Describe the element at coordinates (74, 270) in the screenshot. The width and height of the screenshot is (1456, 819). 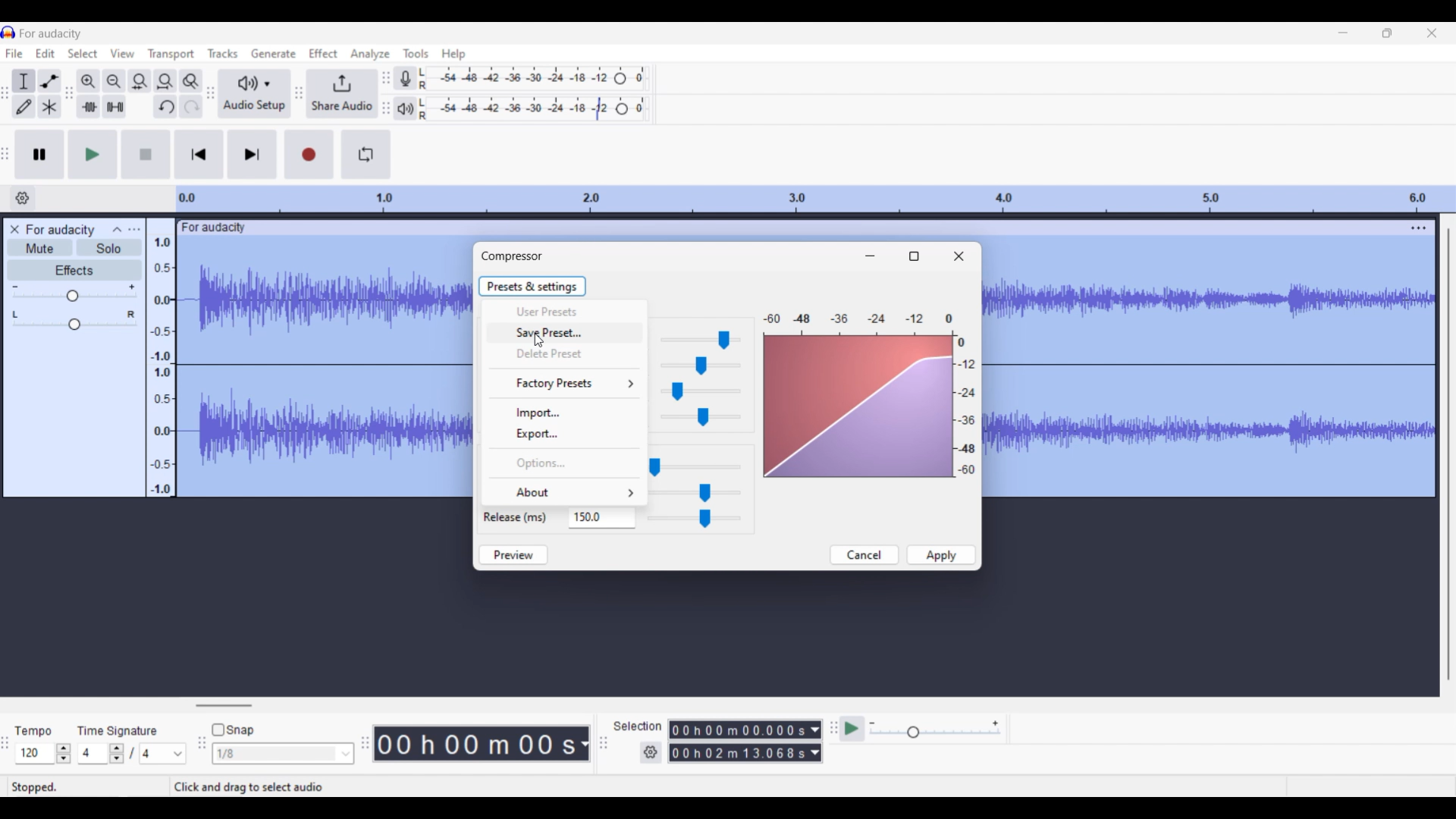
I see `Effects` at that location.